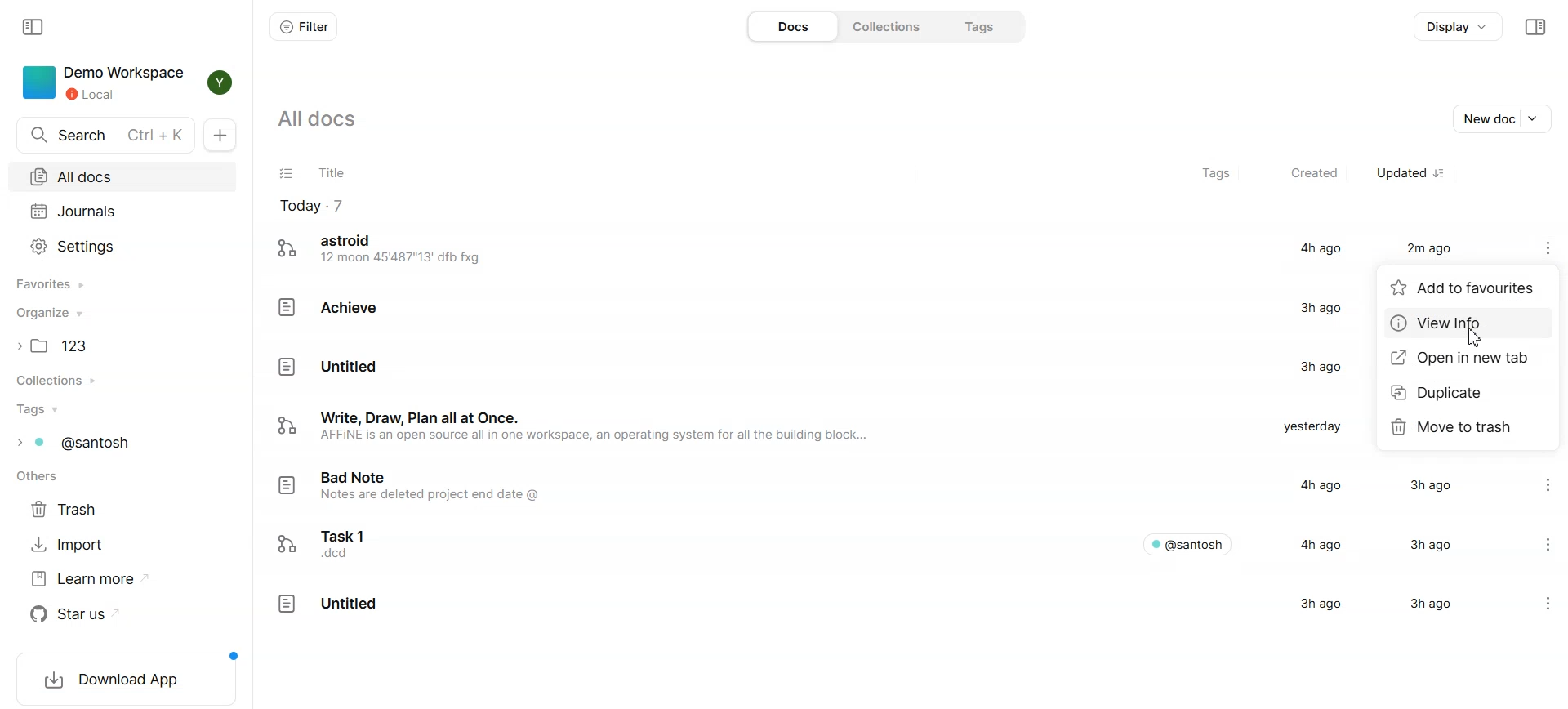 The width and height of the screenshot is (1568, 709). What do you see at coordinates (124, 245) in the screenshot?
I see `Settings` at bounding box center [124, 245].